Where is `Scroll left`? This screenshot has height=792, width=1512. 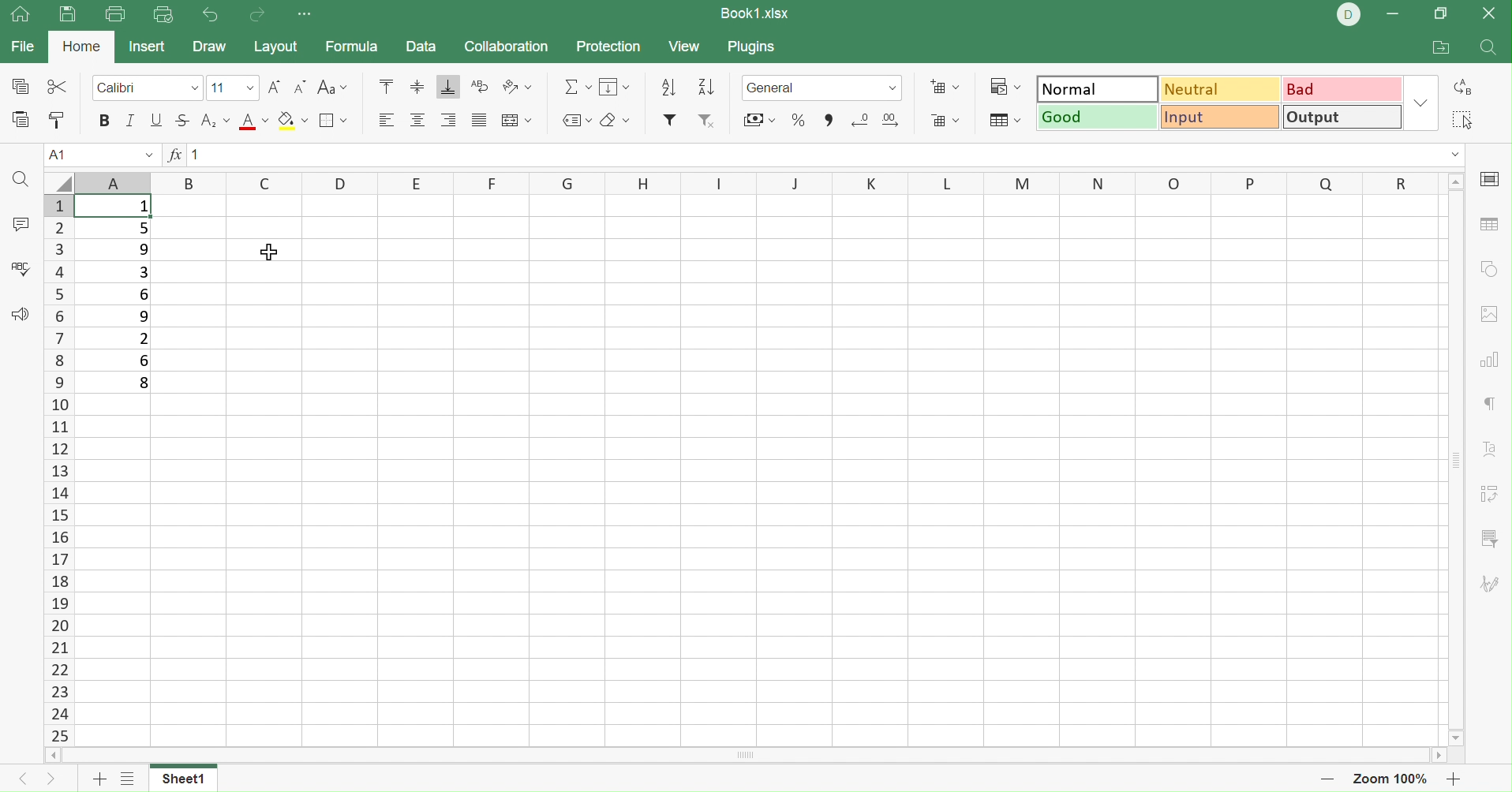 Scroll left is located at coordinates (52, 755).